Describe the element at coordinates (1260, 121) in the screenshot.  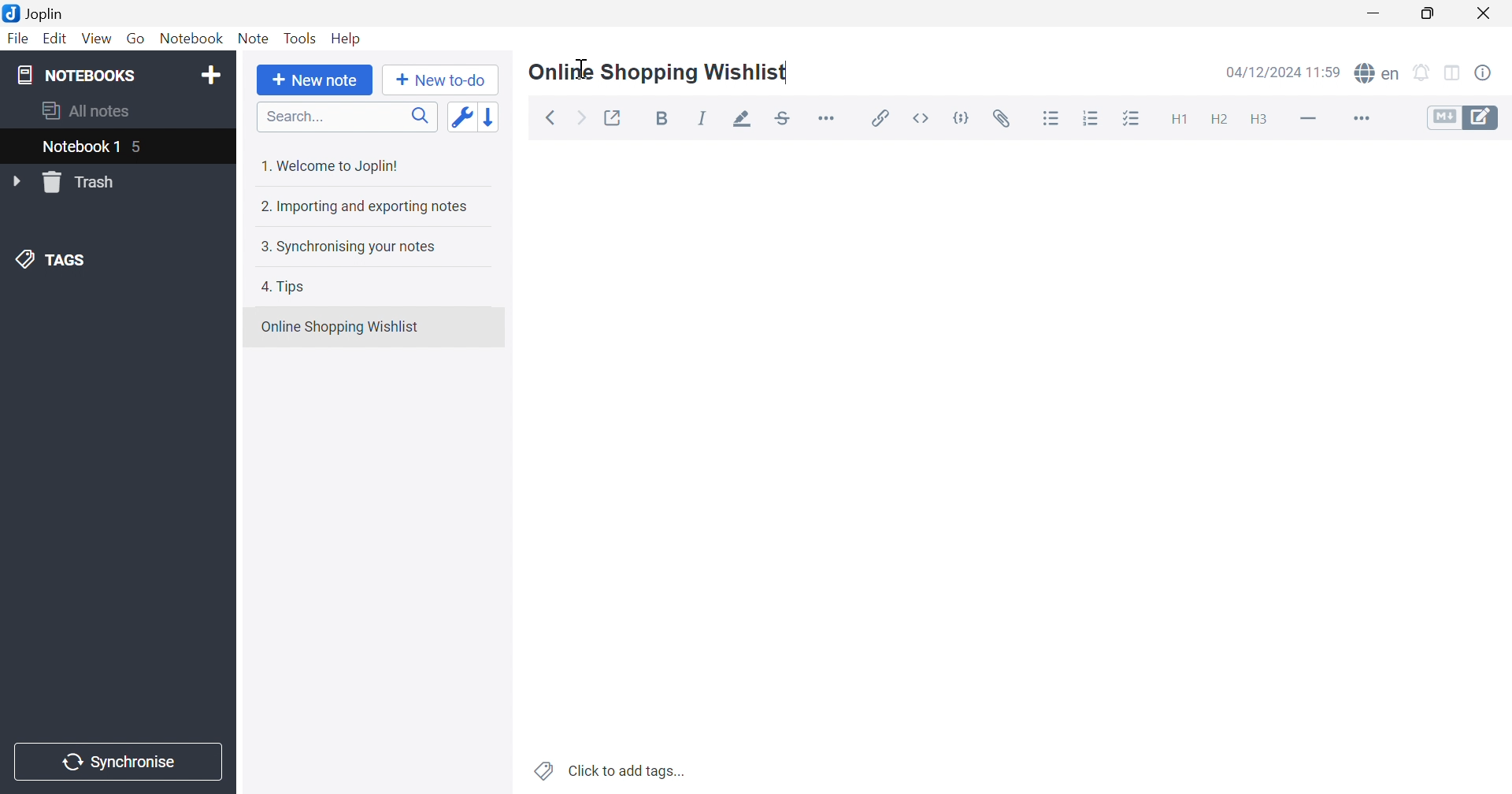
I see `Heading 3` at that location.